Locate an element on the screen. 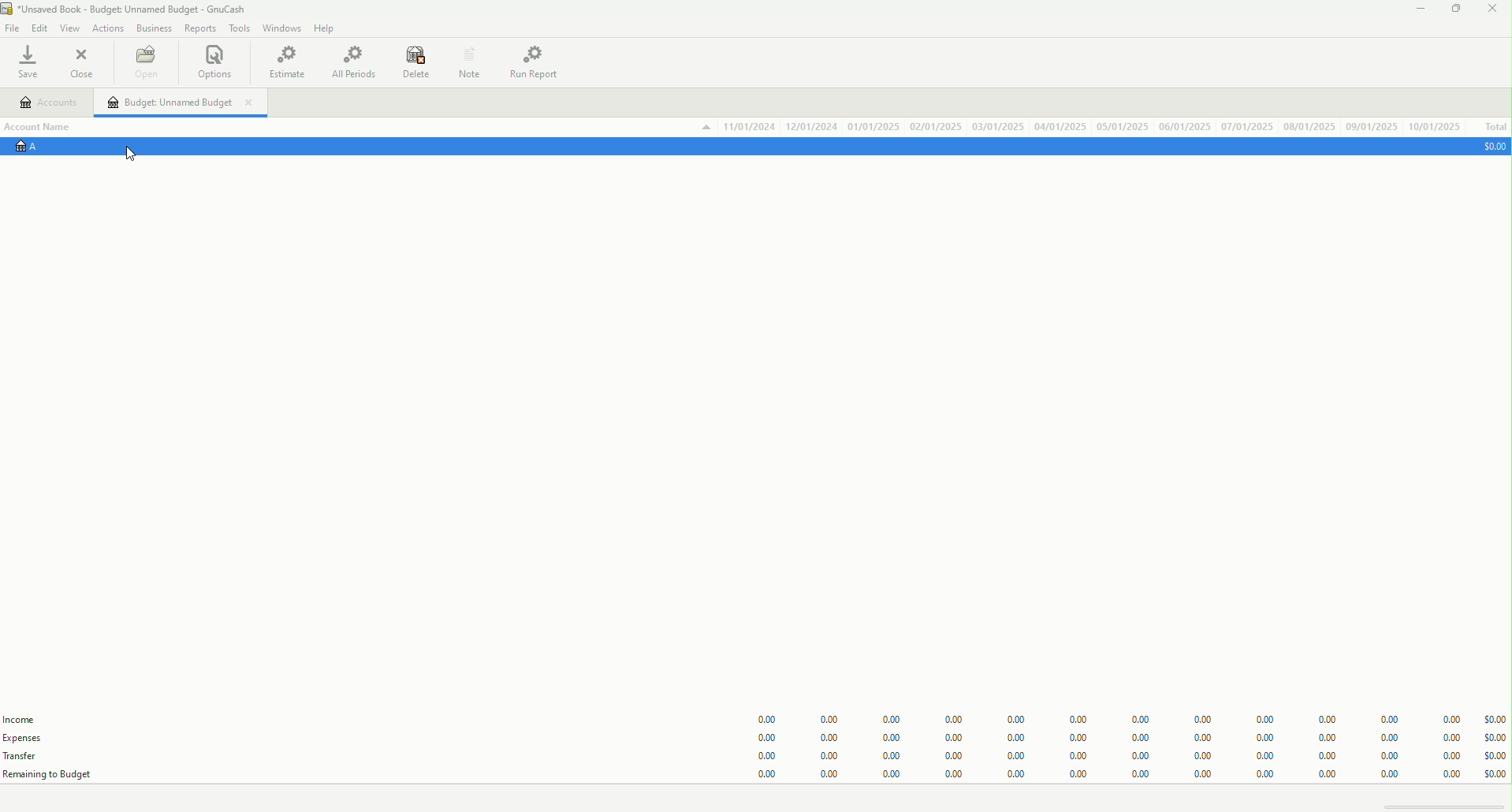 This screenshot has width=1512, height=812. Minimize is located at coordinates (1413, 12).